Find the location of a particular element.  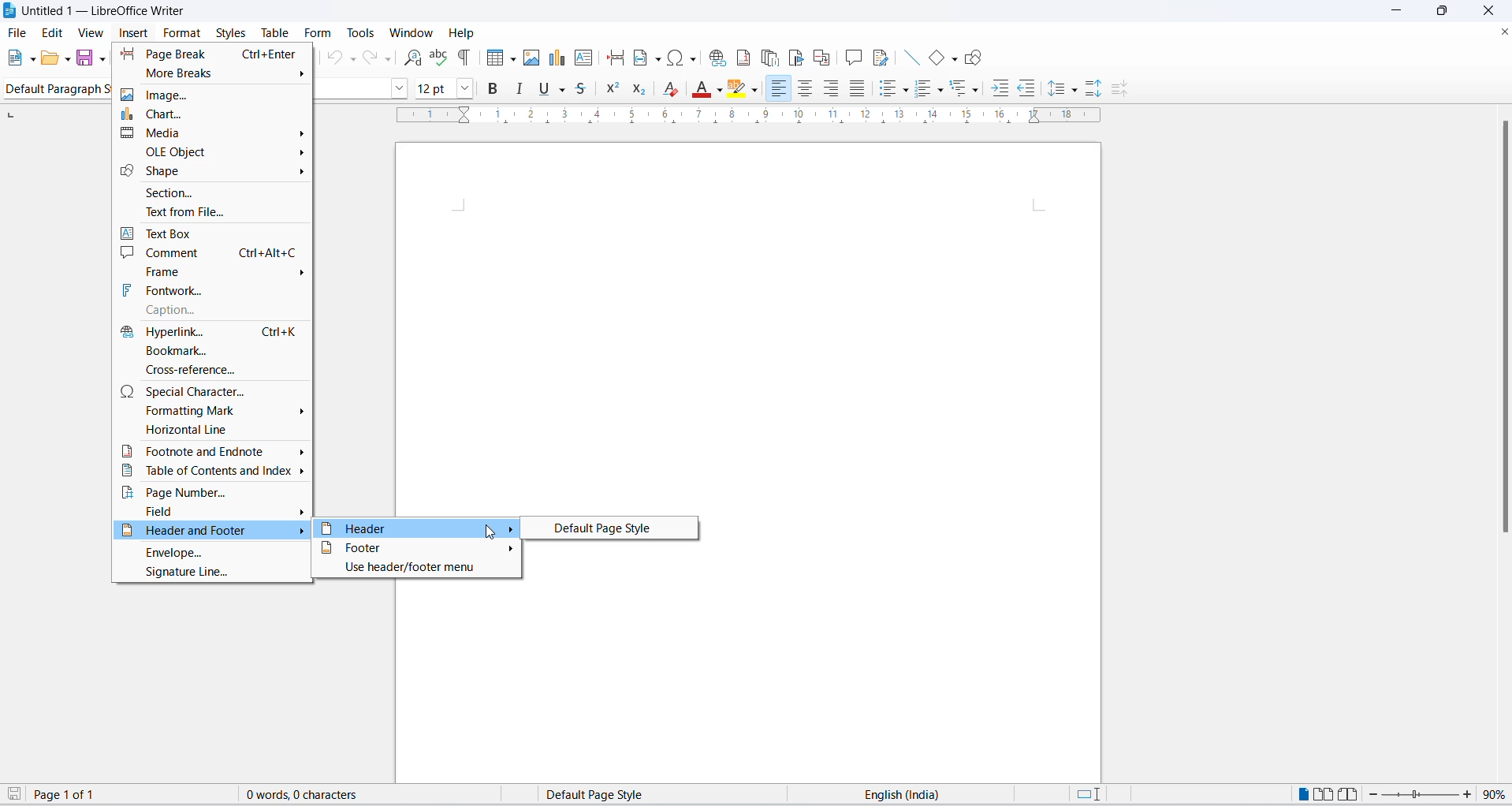

styles is located at coordinates (229, 31).